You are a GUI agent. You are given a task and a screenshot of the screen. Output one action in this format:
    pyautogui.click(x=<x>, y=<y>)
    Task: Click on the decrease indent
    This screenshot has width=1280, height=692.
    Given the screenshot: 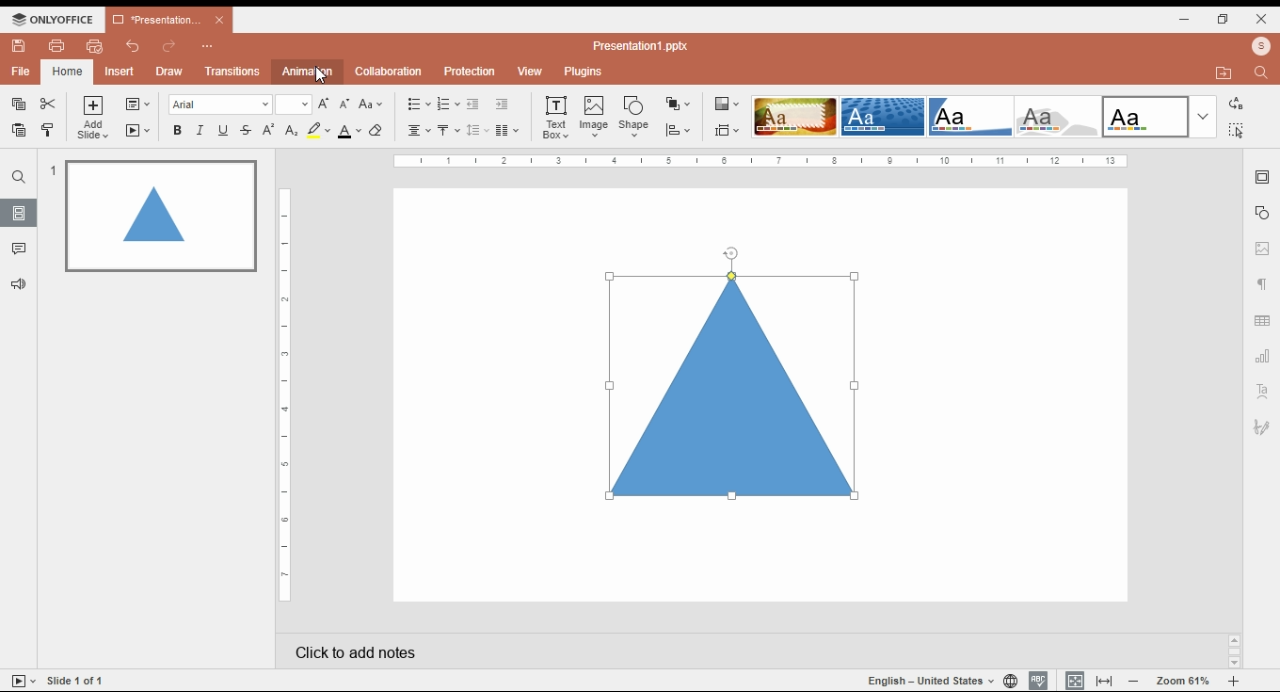 What is the action you would take?
    pyautogui.click(x=472, y=105)
    